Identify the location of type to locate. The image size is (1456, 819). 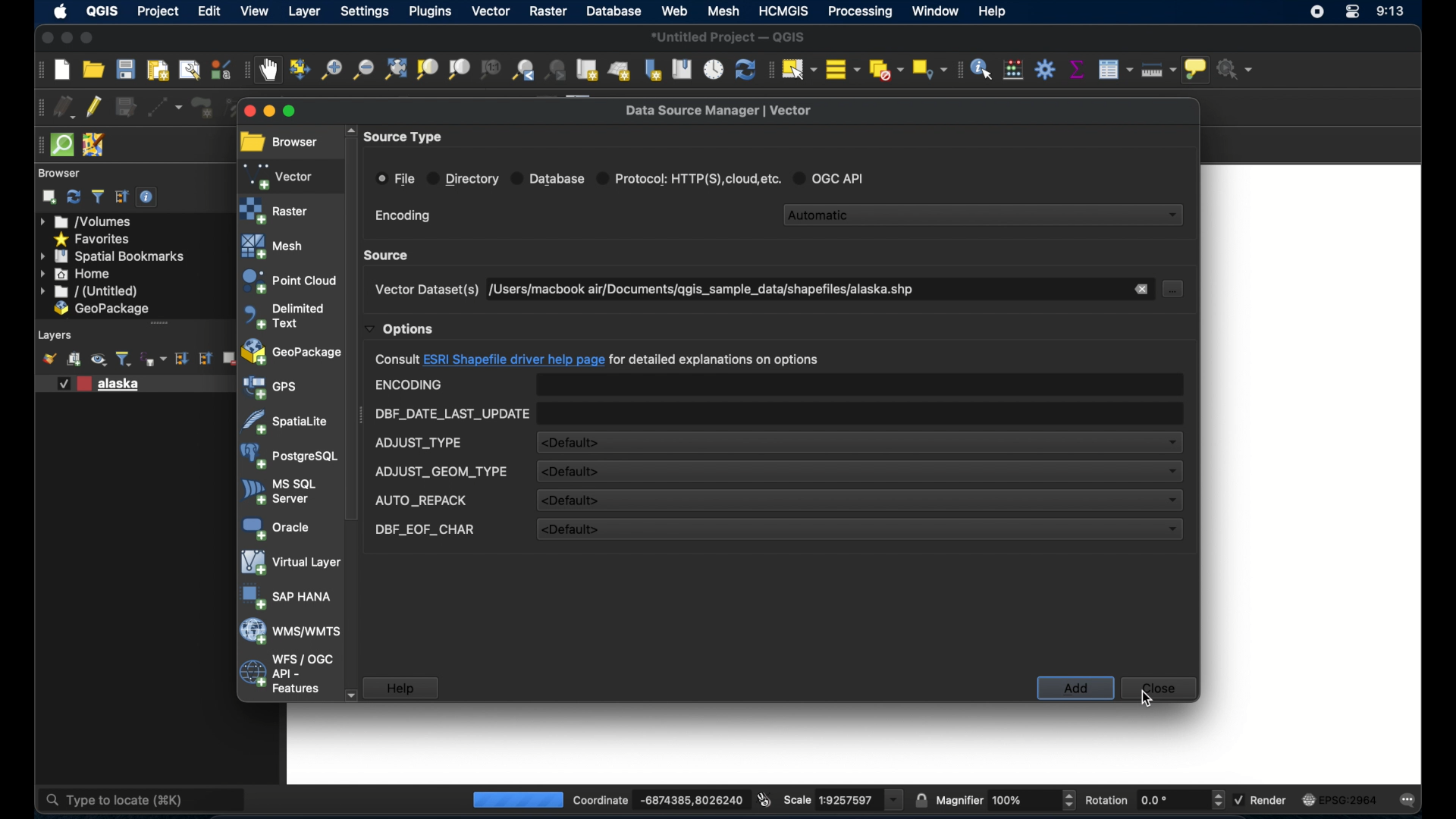
(106, 799).